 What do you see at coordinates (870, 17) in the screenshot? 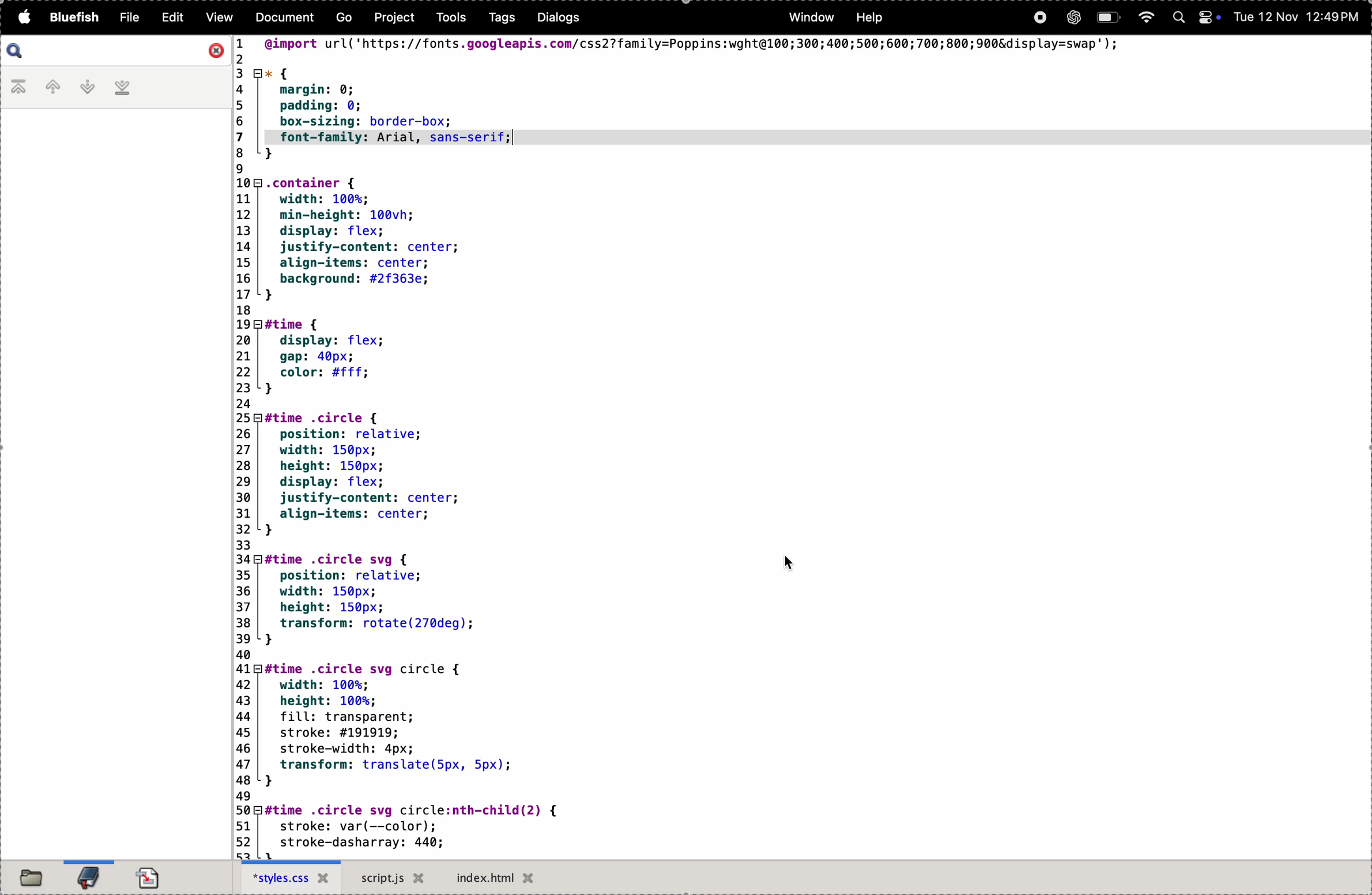
I see `help` at bounding box center [870, 17].